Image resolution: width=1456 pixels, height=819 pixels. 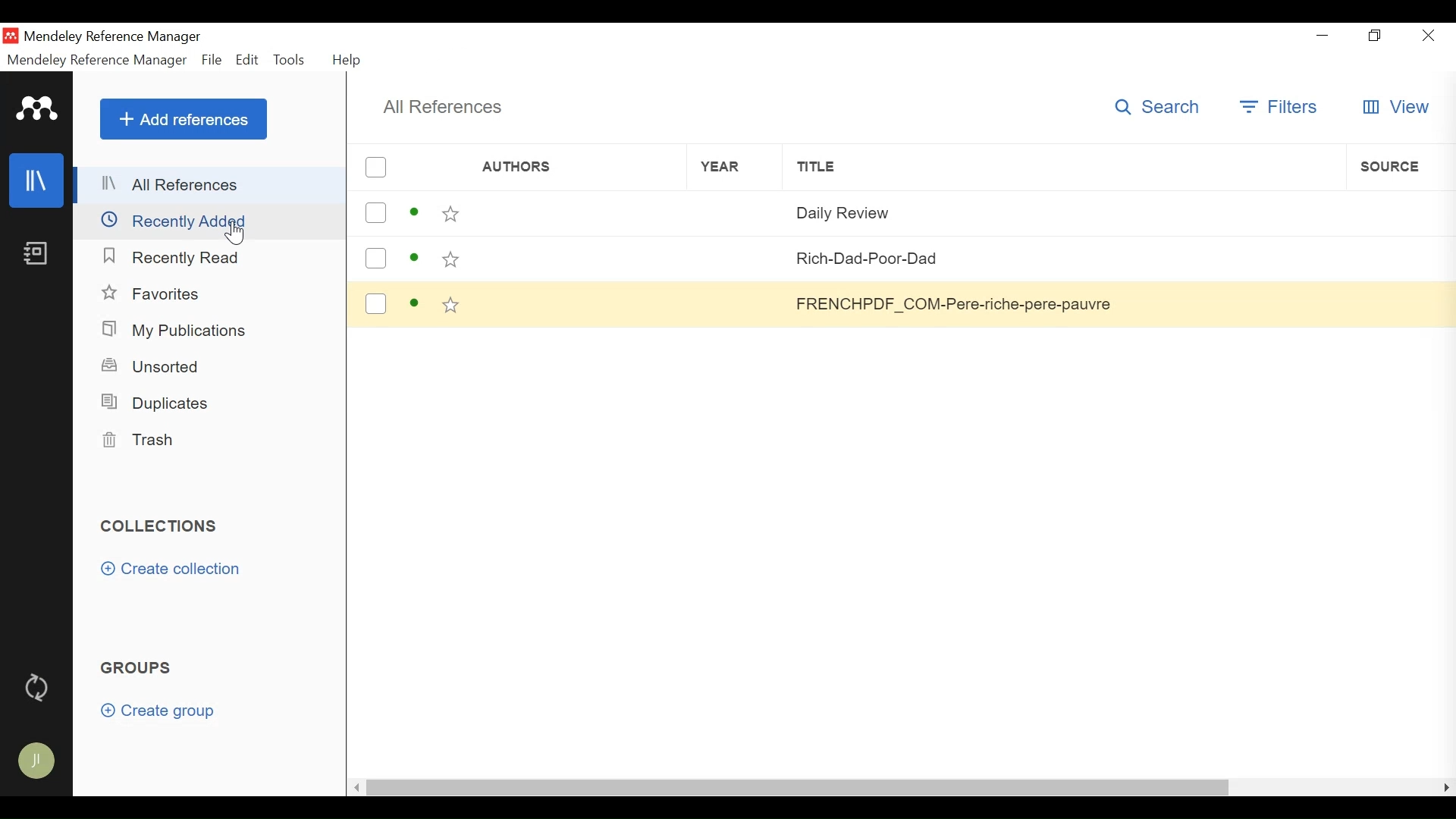 I want to click on Search , so click(x=1158, y=107).